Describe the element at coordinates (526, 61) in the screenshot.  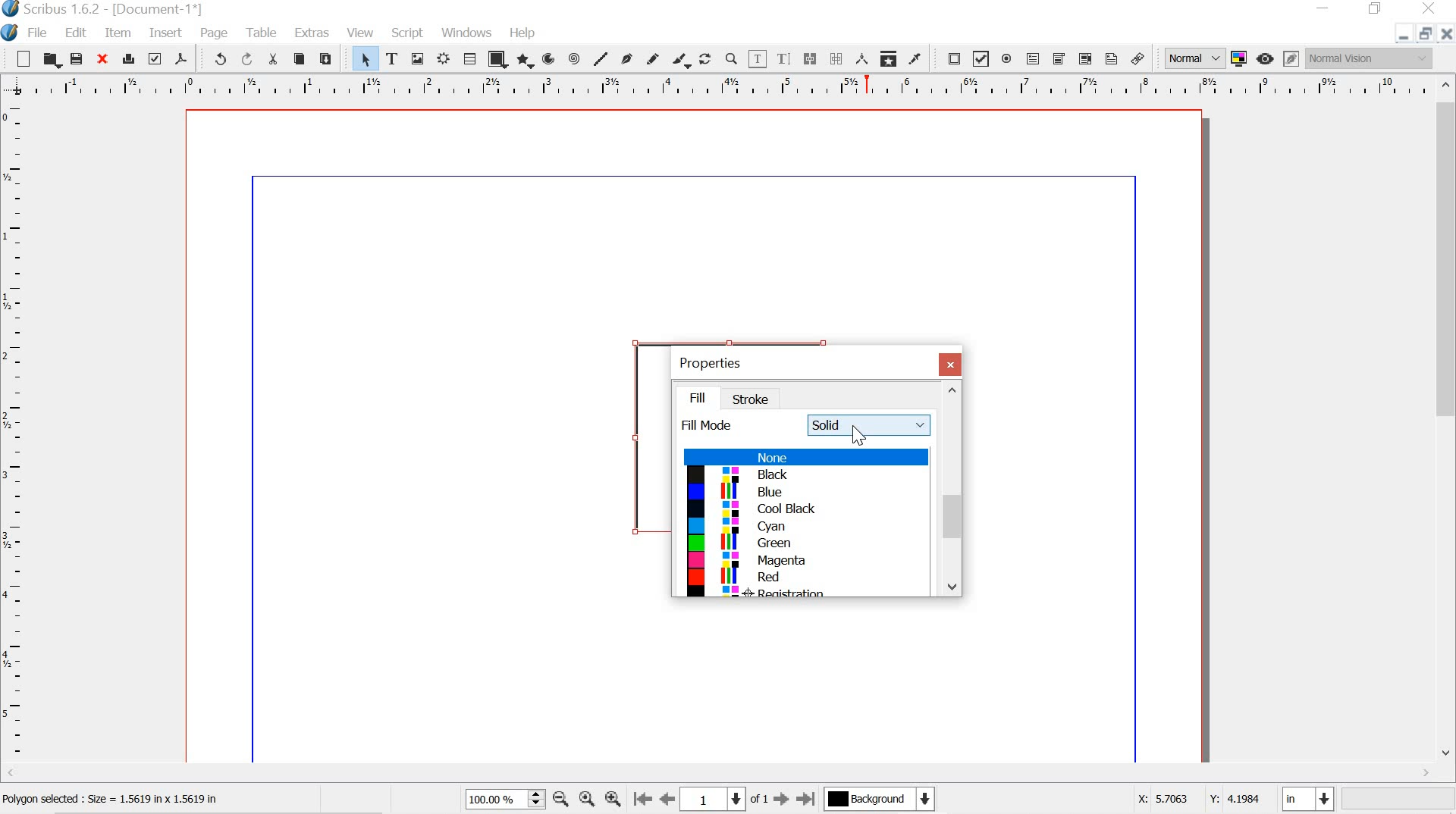
I see `polygon` at that location.